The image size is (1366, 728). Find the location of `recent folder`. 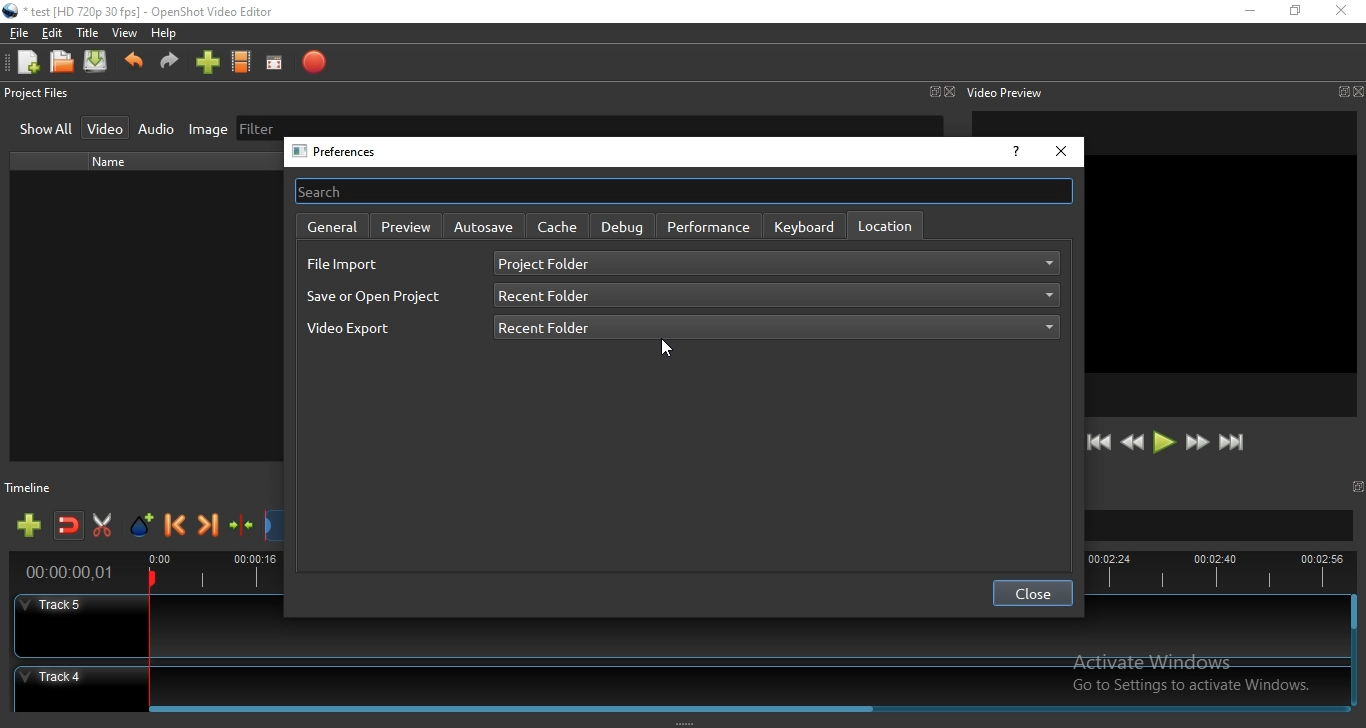

recent folder is located at coordinates (774, 328).